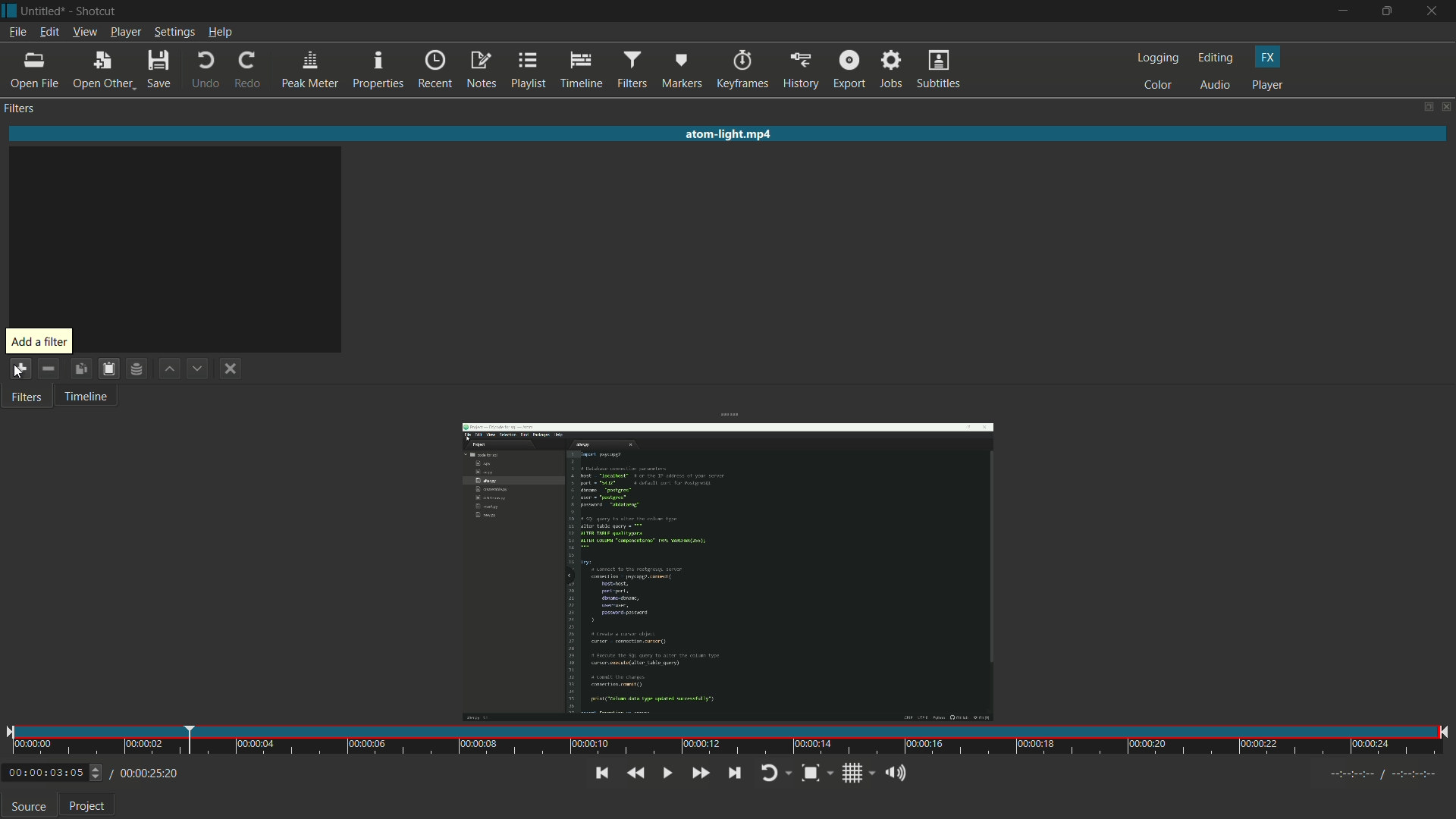 The image size is (1456, 819). What do you see at coordinates (635, 773) in the screenshot?
I see `play quickly backward` at bounding box center [635, 773].